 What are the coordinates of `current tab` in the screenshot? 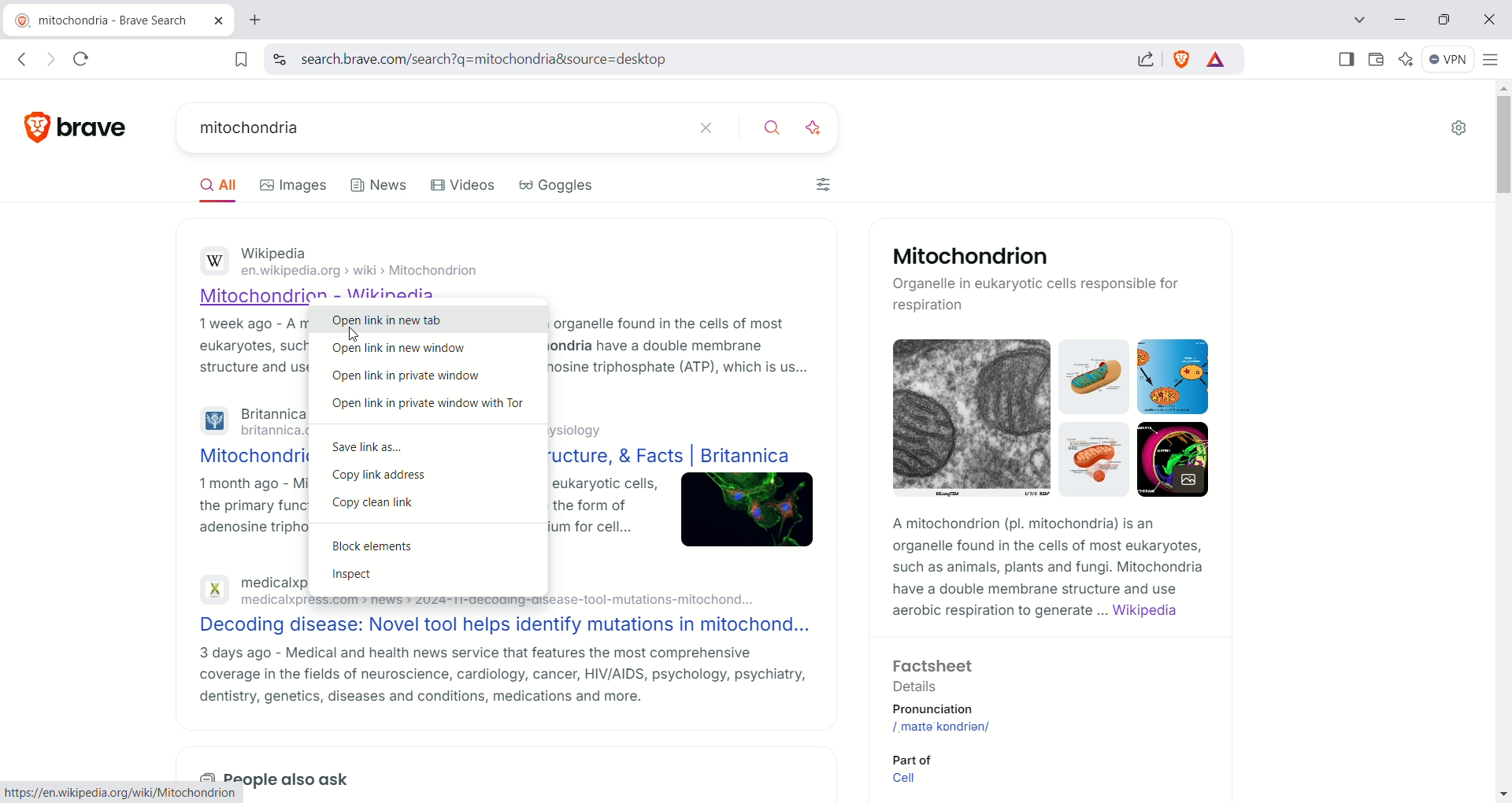 It's located at (97, 20).